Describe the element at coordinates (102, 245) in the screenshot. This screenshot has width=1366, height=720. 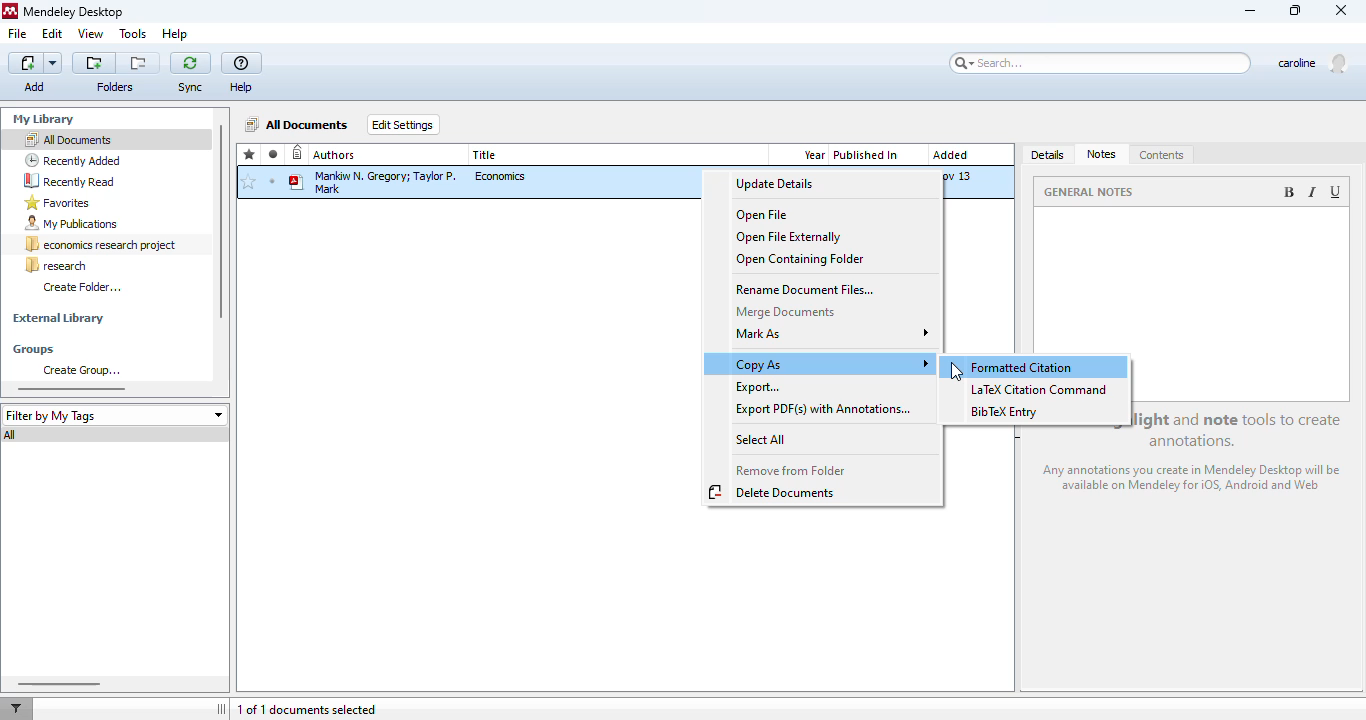
I see `economics research project` at that location.